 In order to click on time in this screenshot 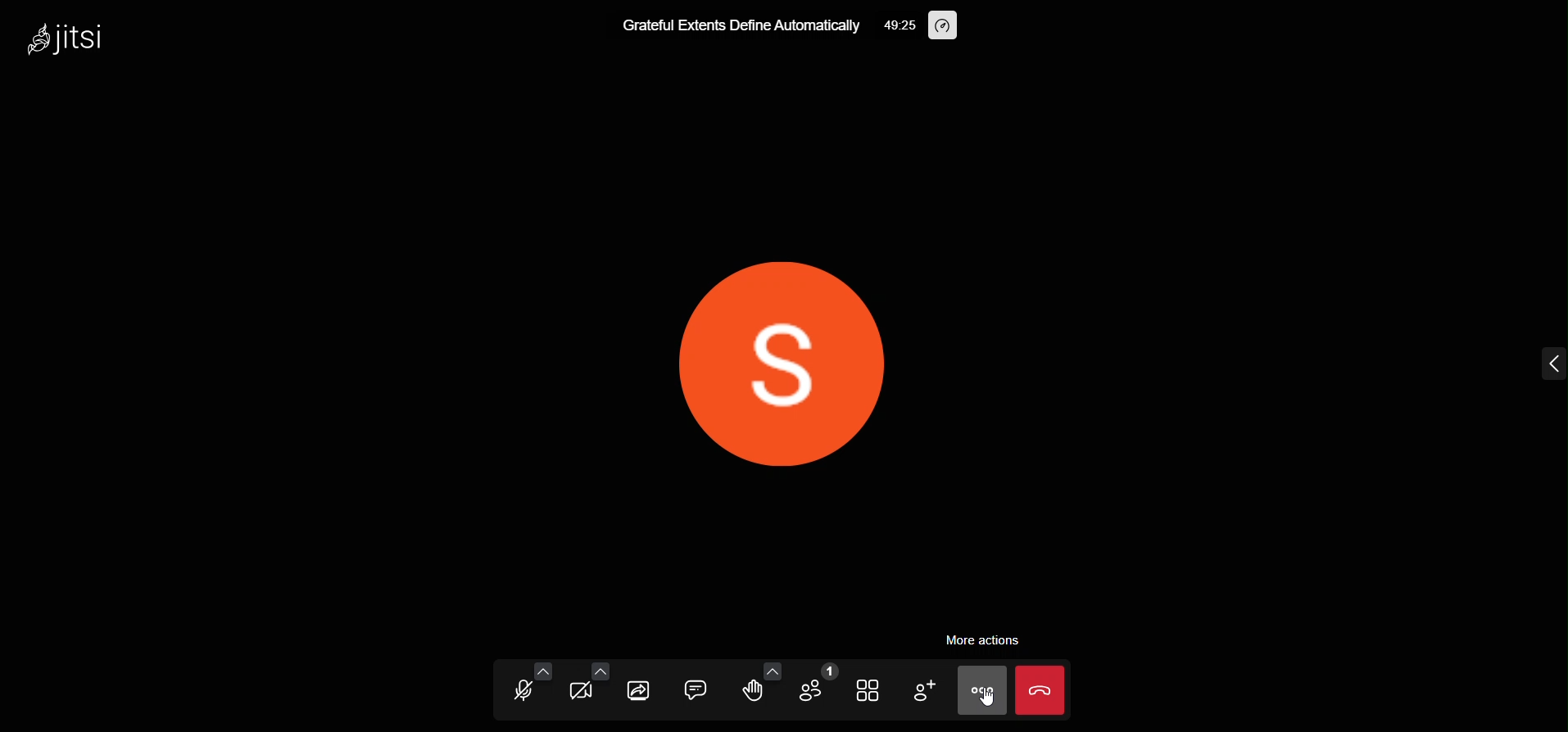, I will do `click(895, 27)`.